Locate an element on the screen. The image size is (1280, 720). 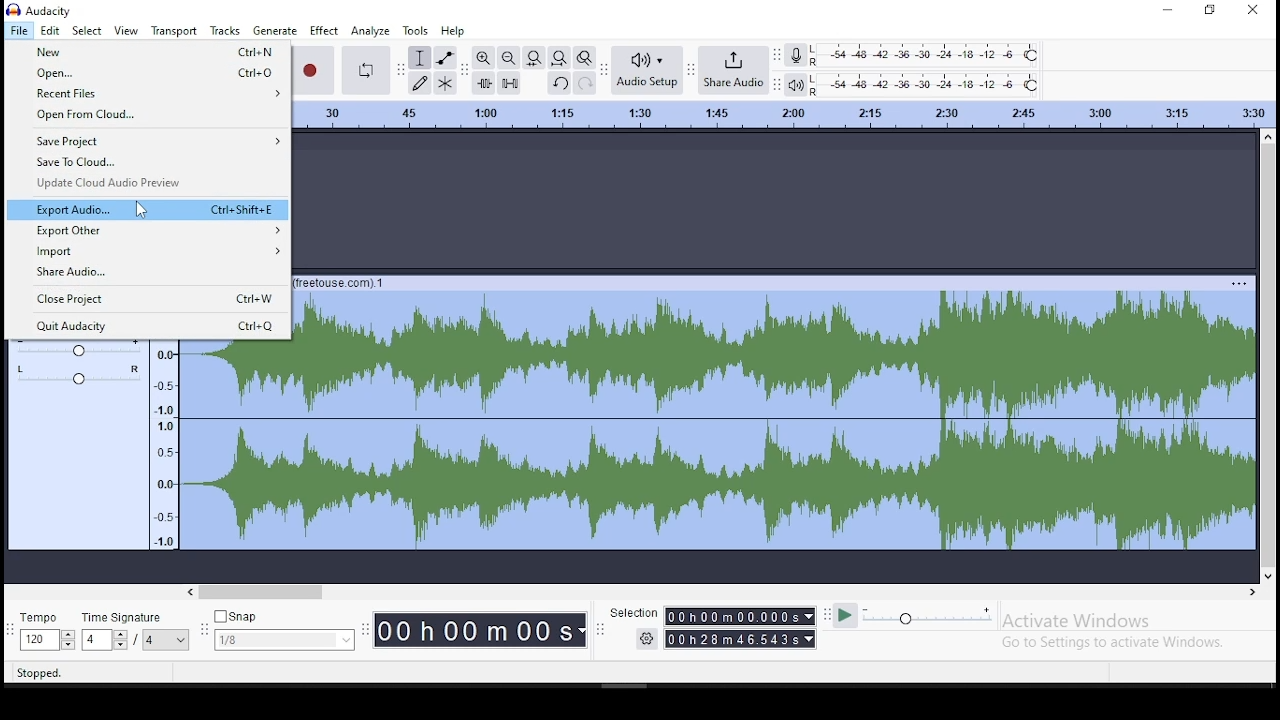
open from cloud is located at coordinates (153, 115).